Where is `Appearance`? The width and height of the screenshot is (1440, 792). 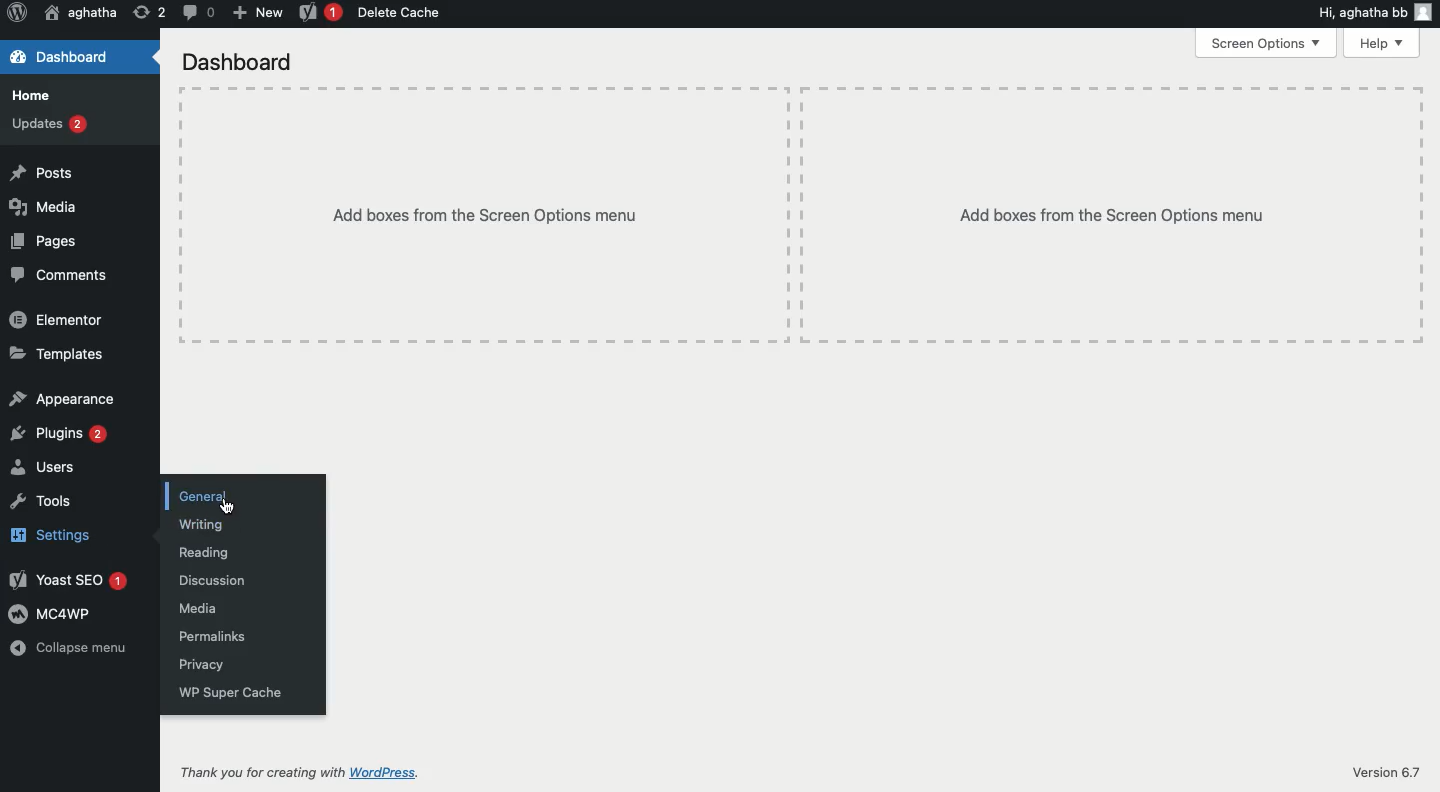
Appearance is located at coordinates (62, 399).